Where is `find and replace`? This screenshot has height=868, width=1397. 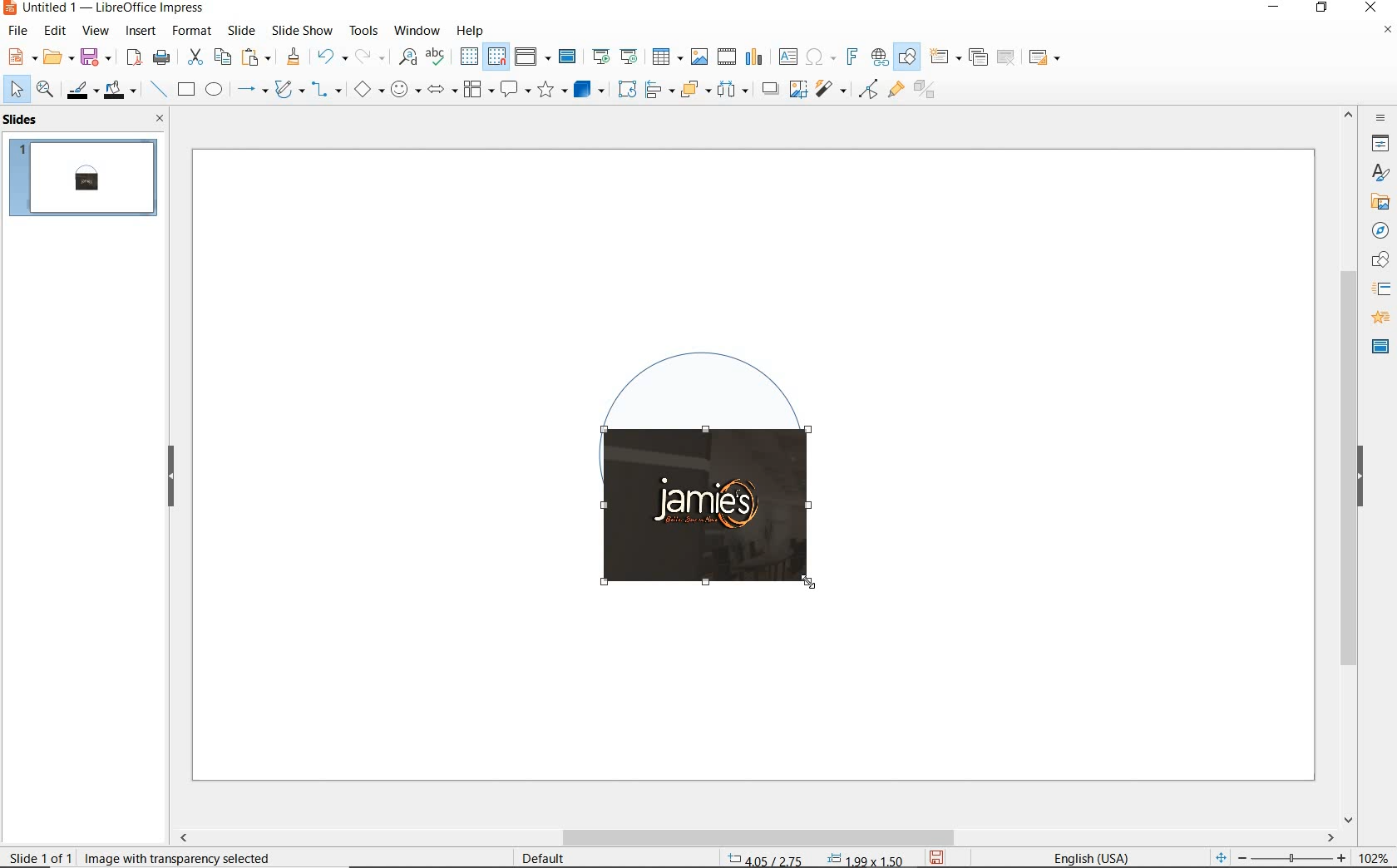 find and replace is located at coordinates (407, 57).